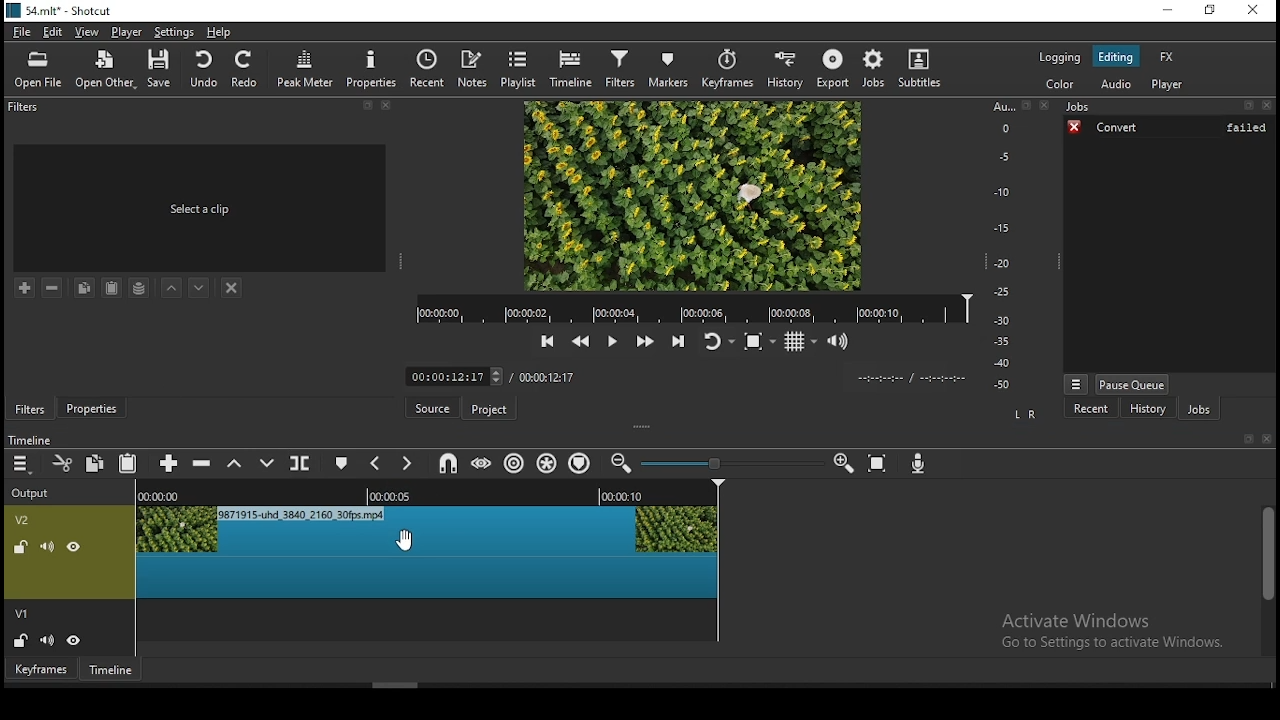 Image resolution: width=1280 pixels, height=720 pixels. I want to click on filters, so click(623, 70).